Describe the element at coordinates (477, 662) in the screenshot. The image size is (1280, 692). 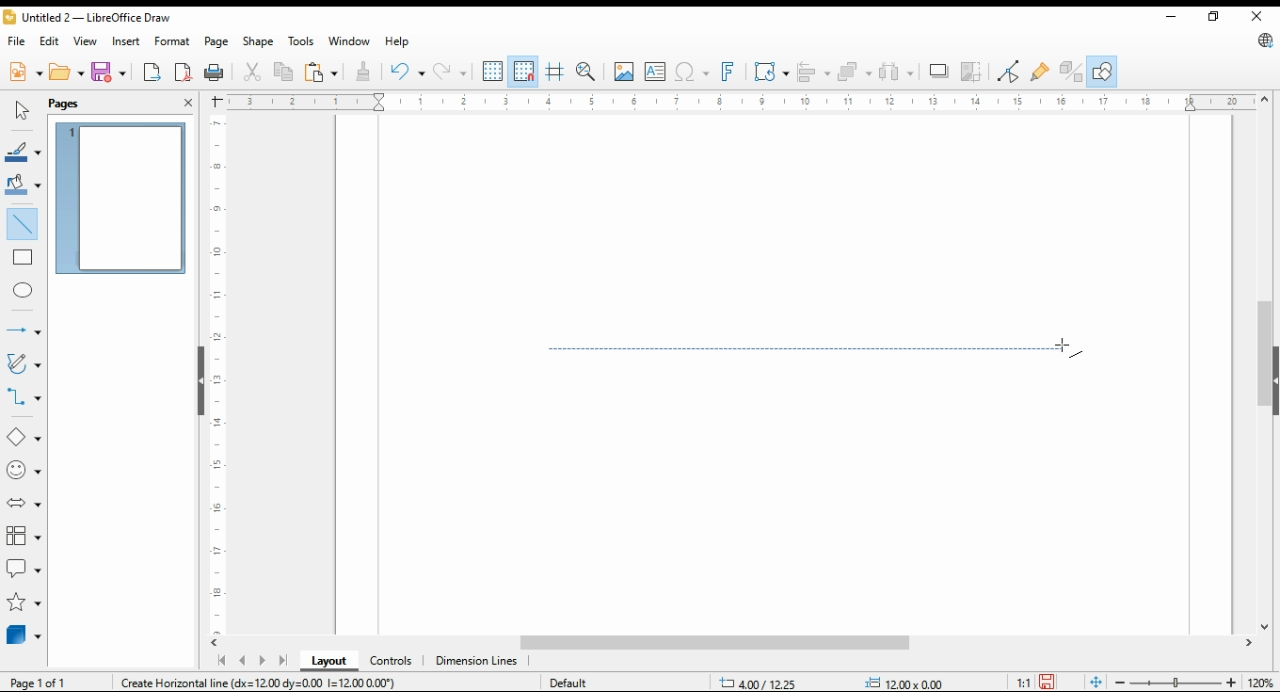
I see `dimension lines` at that location.